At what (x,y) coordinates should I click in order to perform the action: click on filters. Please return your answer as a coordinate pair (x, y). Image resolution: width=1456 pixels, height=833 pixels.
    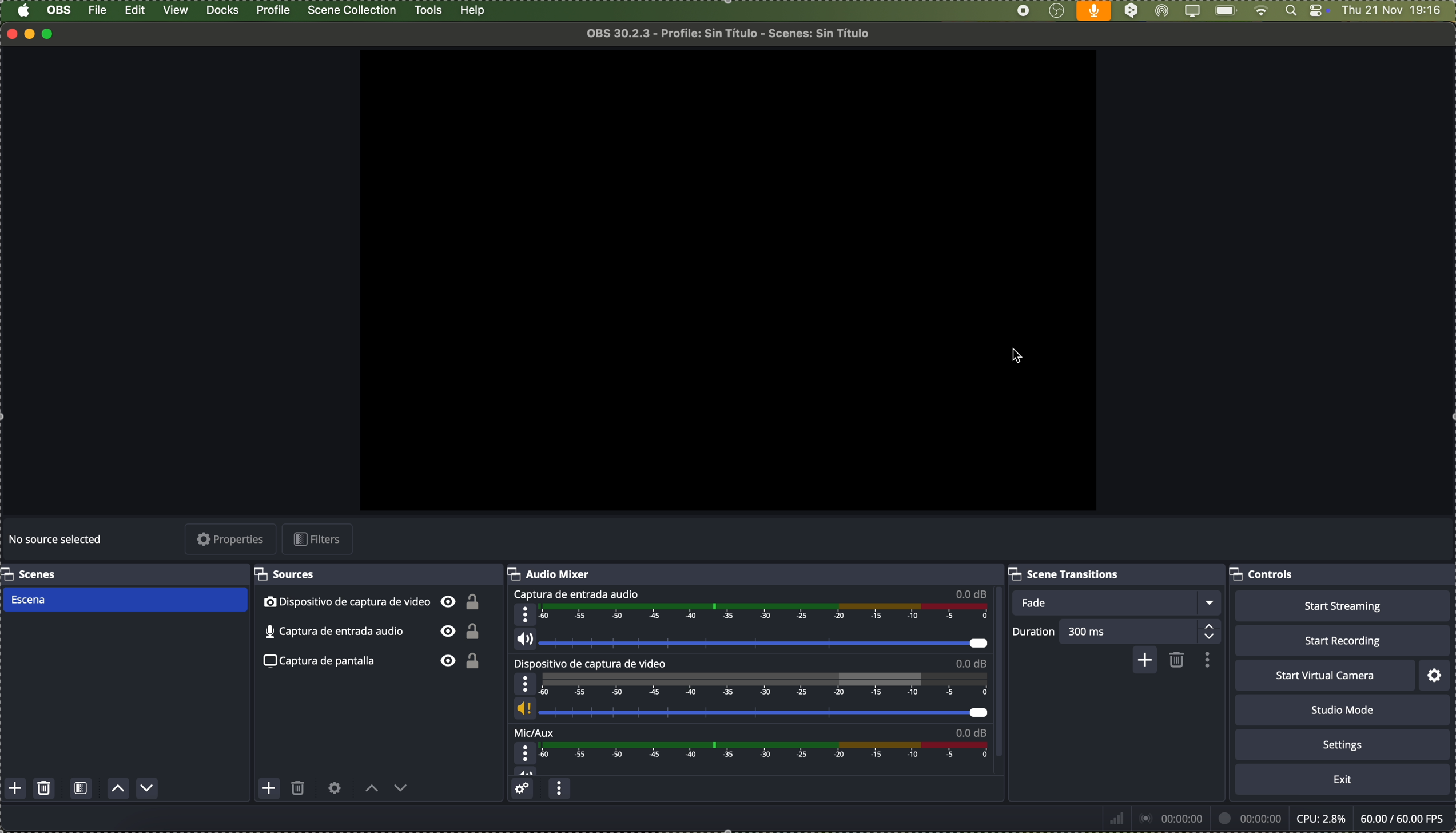
    Looking at the image, I should click on (320, 539).